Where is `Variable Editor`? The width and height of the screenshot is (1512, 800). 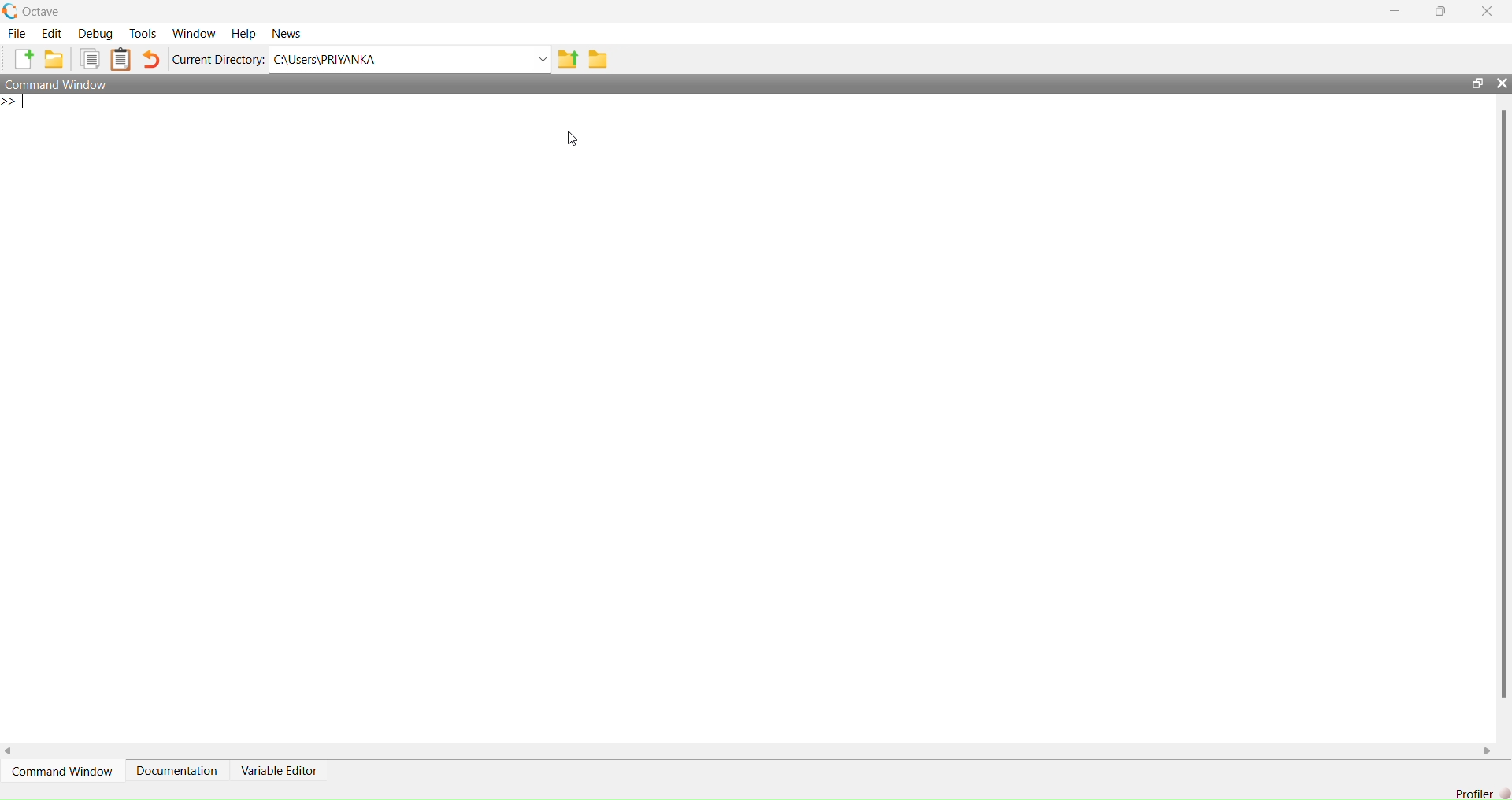
Variable Editor is located at coordinates (281, 770).